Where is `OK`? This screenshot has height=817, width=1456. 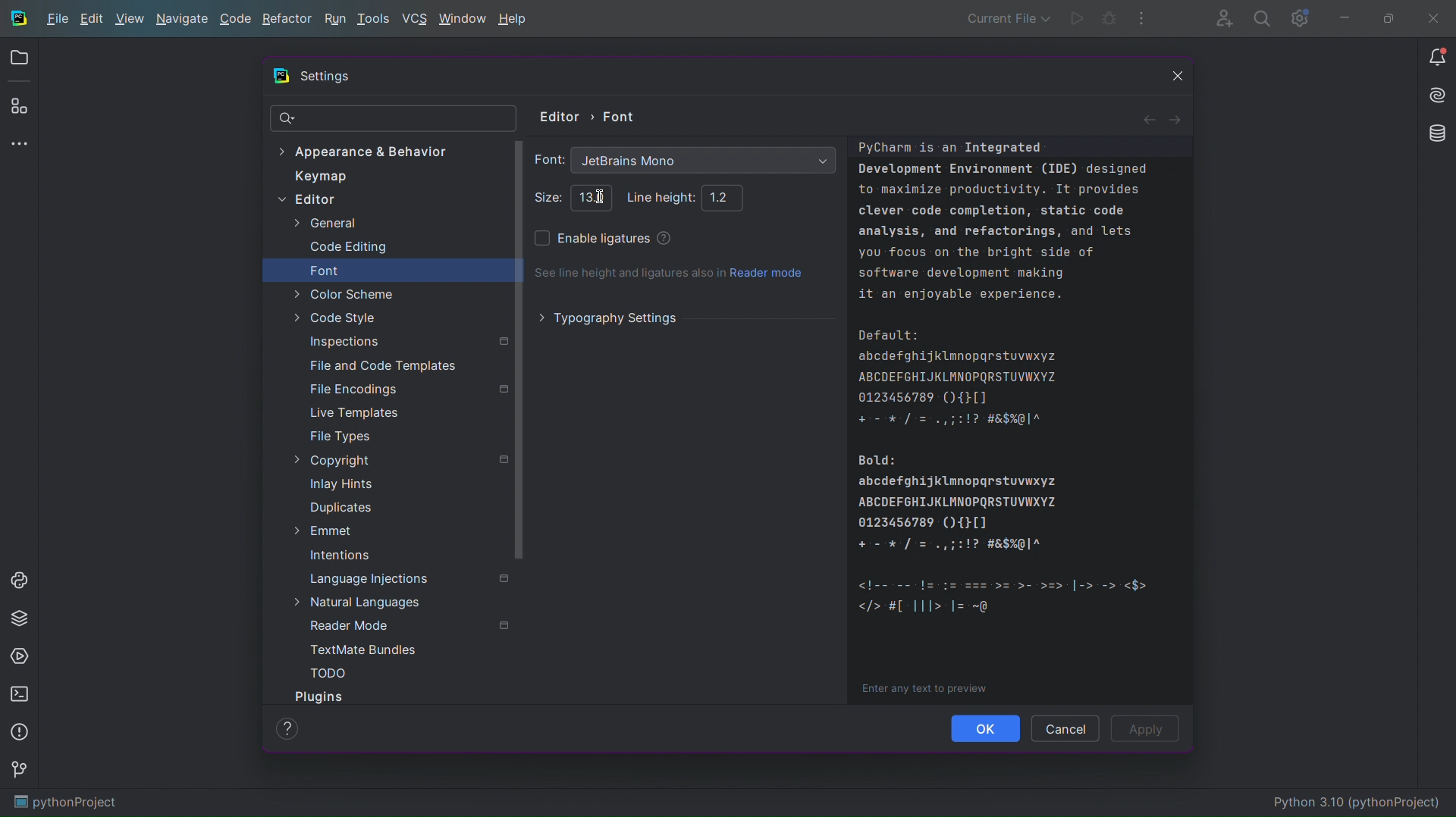
OK is located at coordinates (987, 728).